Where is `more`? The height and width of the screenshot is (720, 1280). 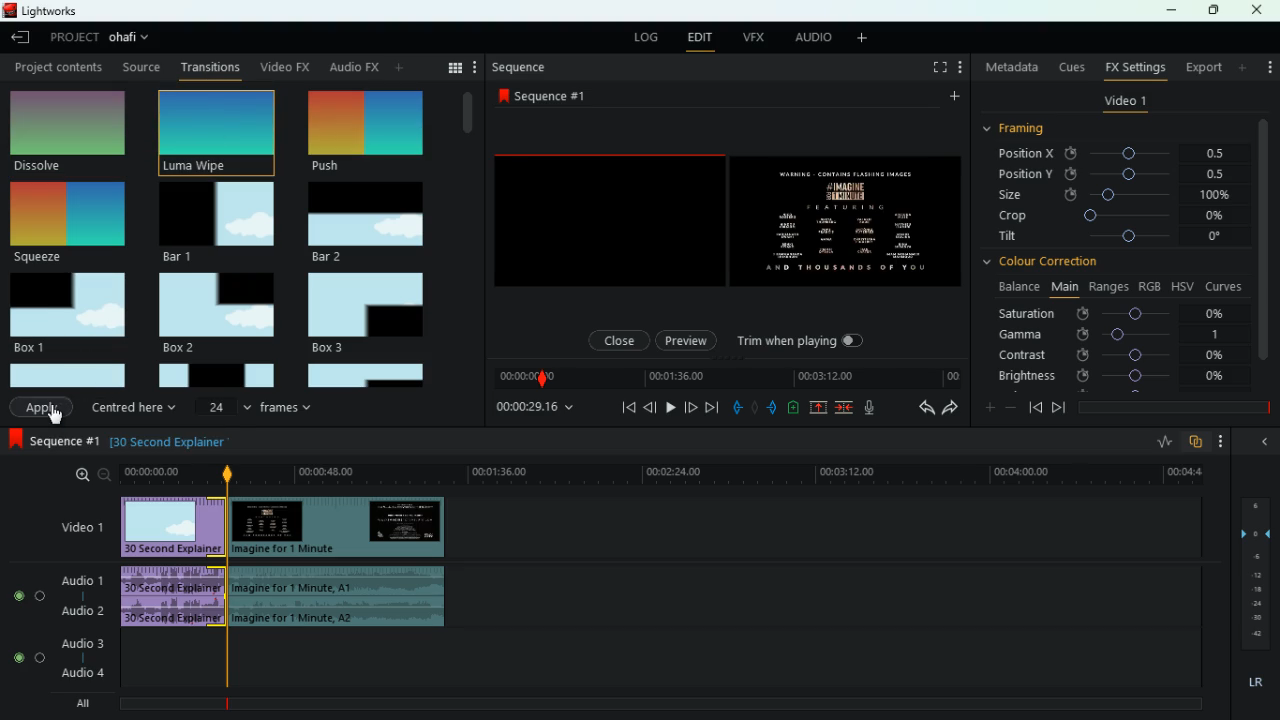 more is located at coordinates (1267, 62).